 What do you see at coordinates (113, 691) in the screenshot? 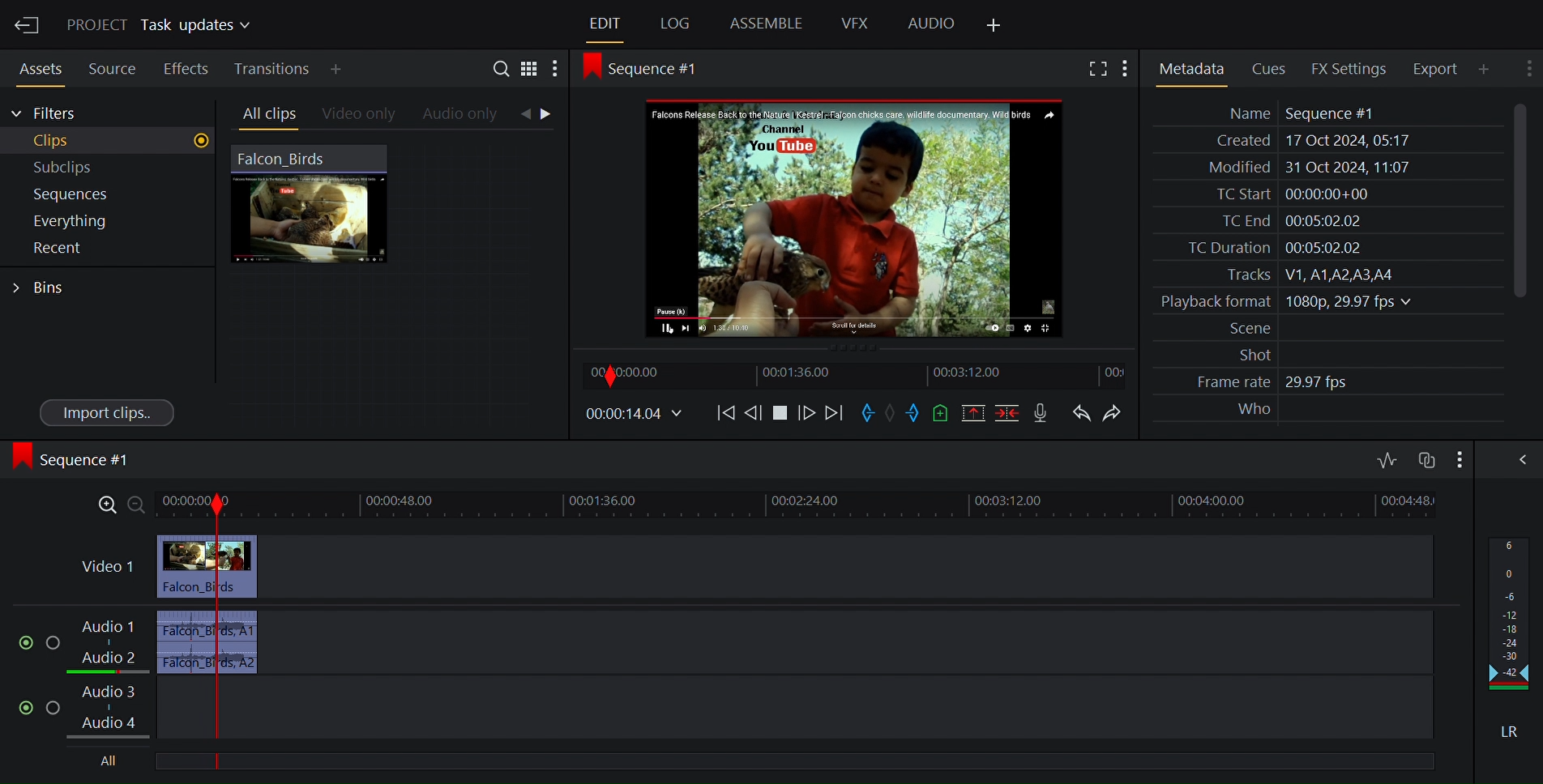
I see `Audio 3` at bounding box center [113, 691].